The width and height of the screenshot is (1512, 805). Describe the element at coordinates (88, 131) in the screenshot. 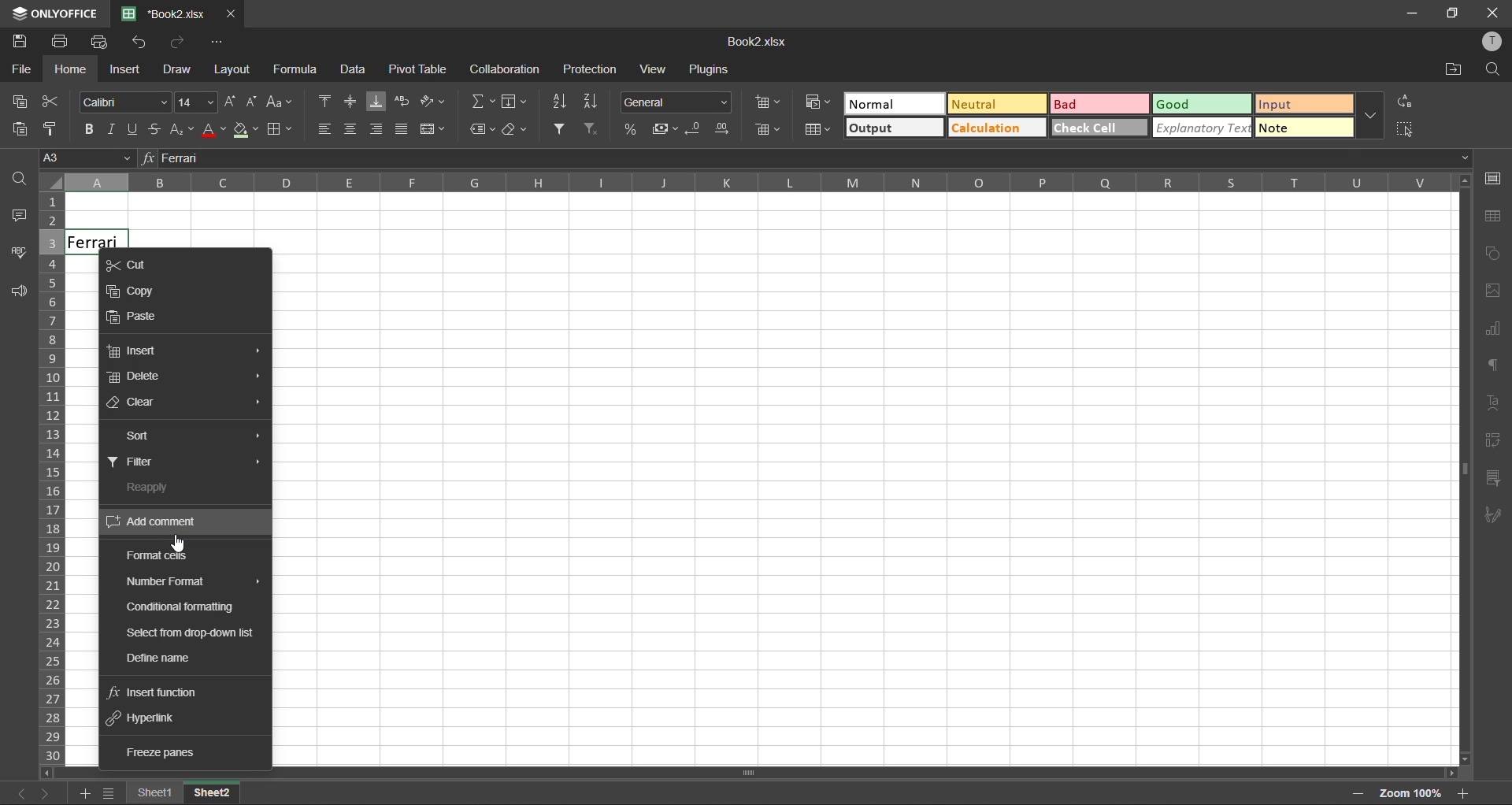

I see `bold` at that location.